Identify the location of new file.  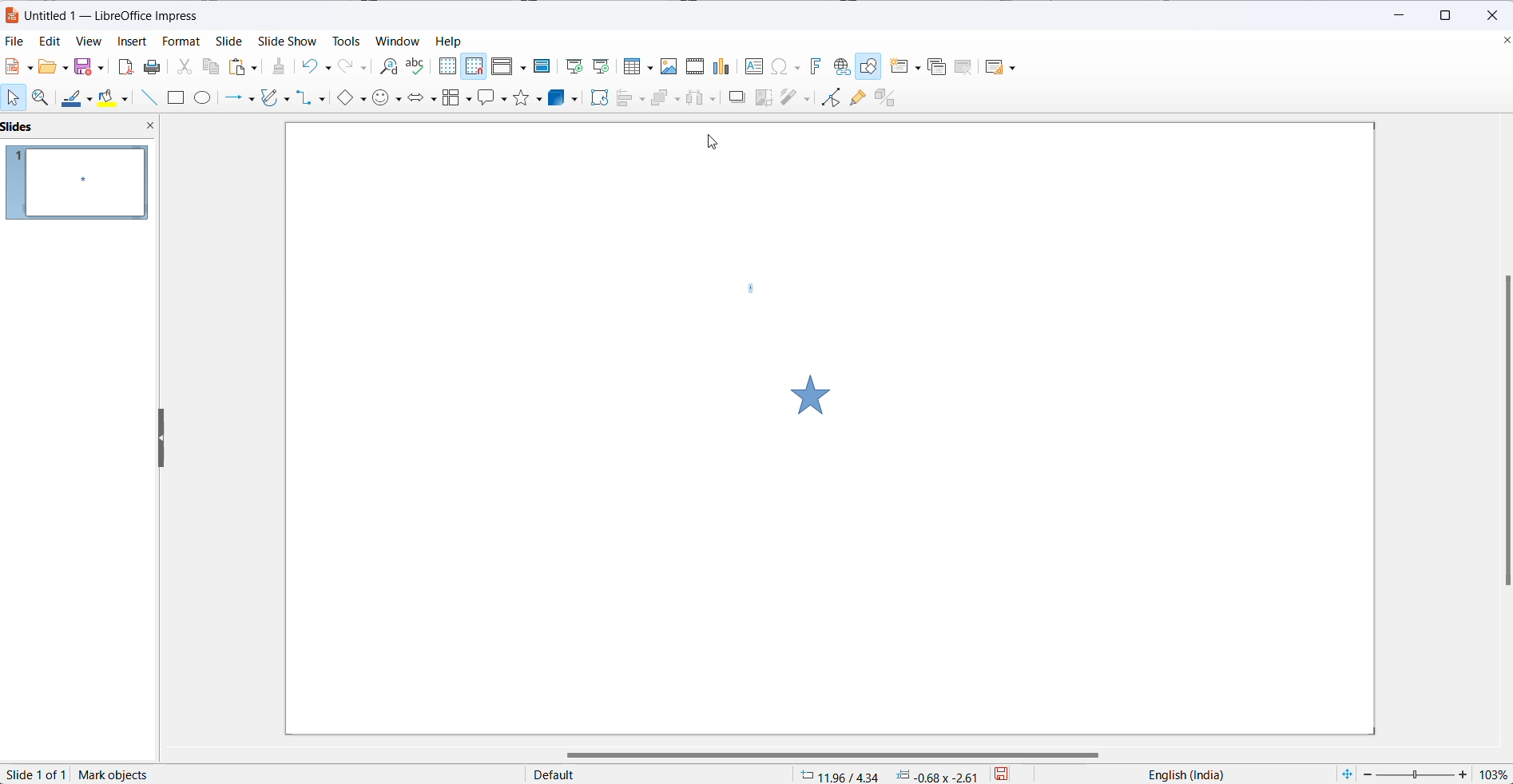
(22, 66).